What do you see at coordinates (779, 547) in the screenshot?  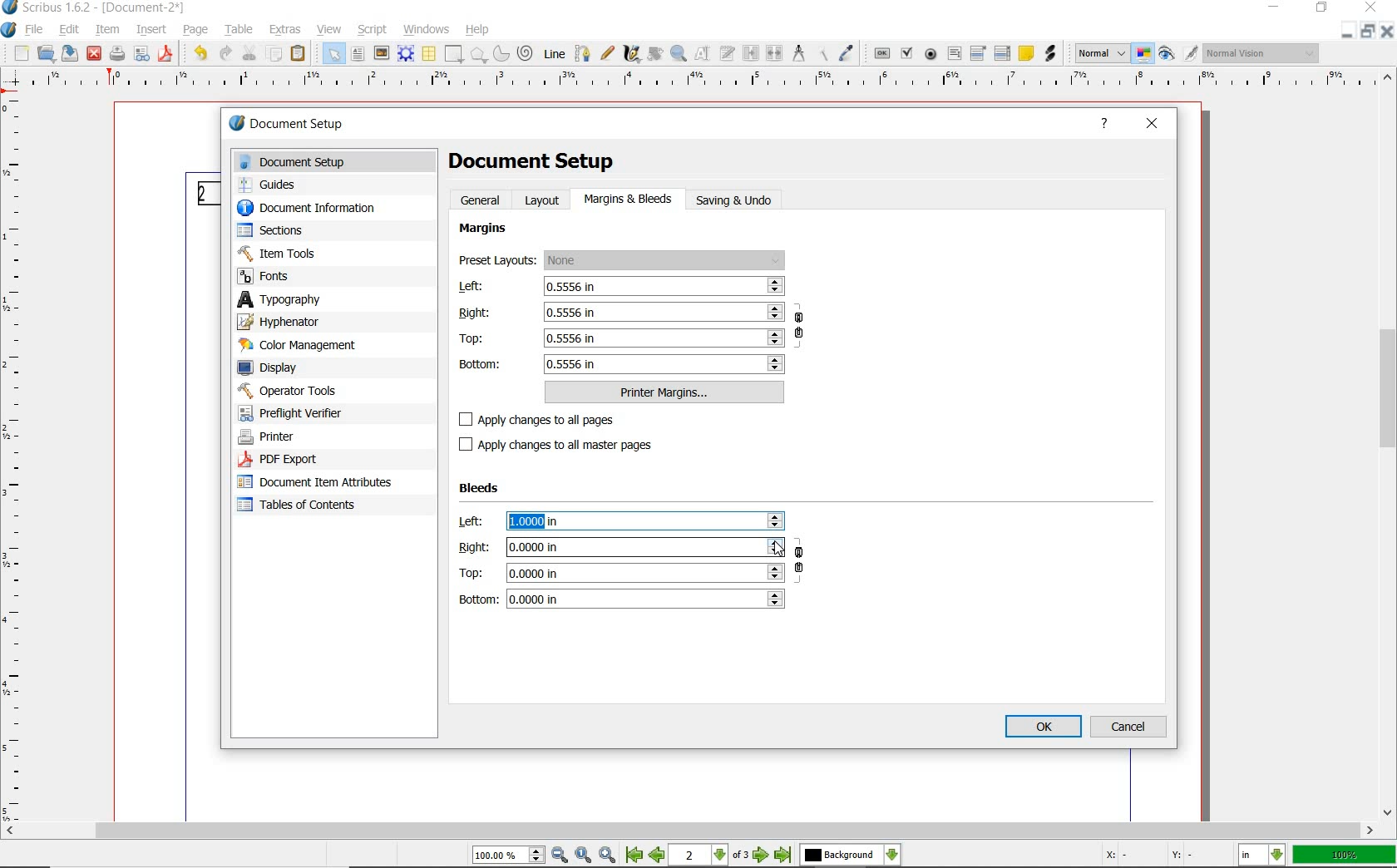 I see `Cursor Position` at bounding box center [779, 547].